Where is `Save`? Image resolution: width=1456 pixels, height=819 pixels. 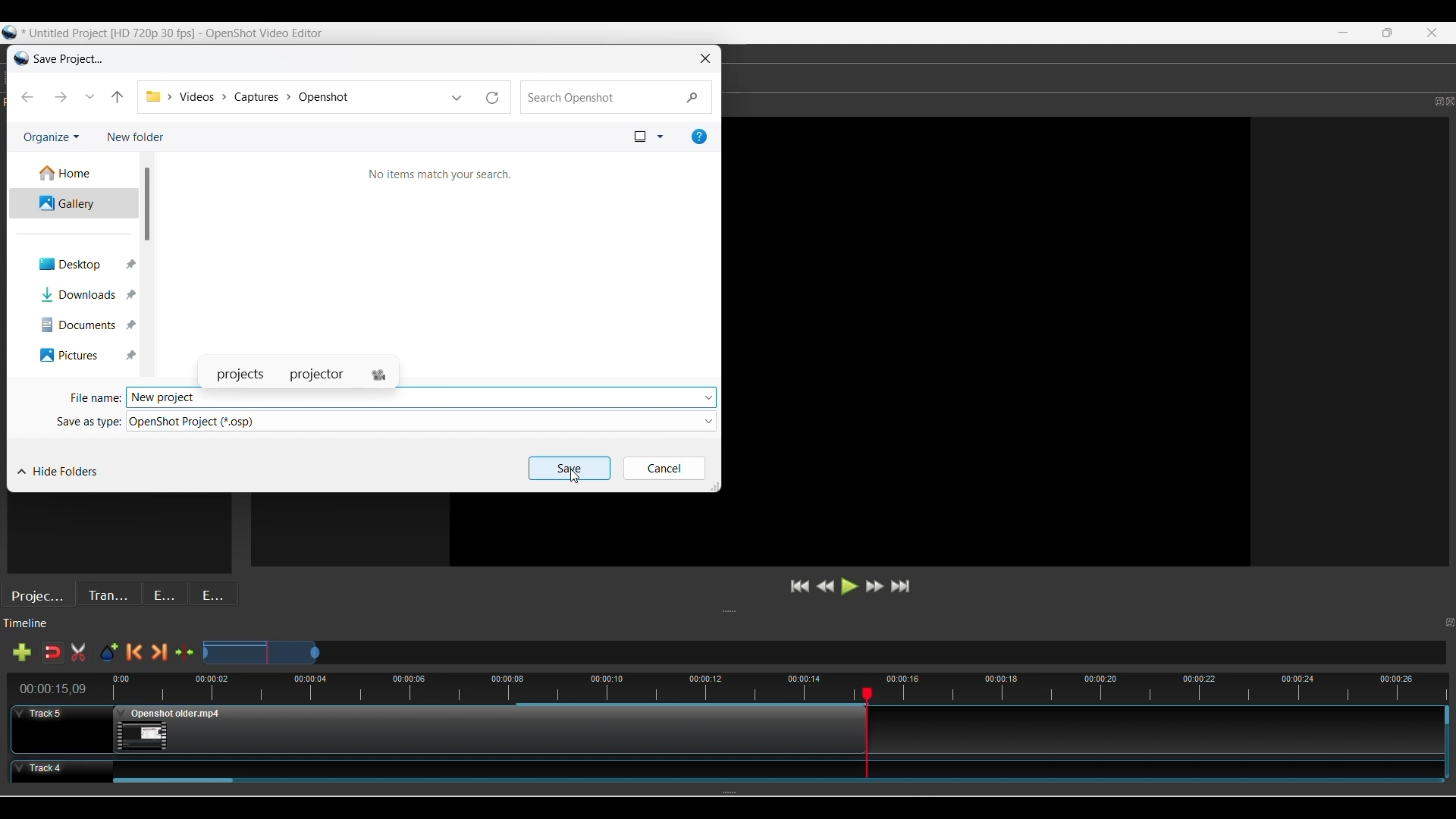
Save is located at coordinates (567, 467).